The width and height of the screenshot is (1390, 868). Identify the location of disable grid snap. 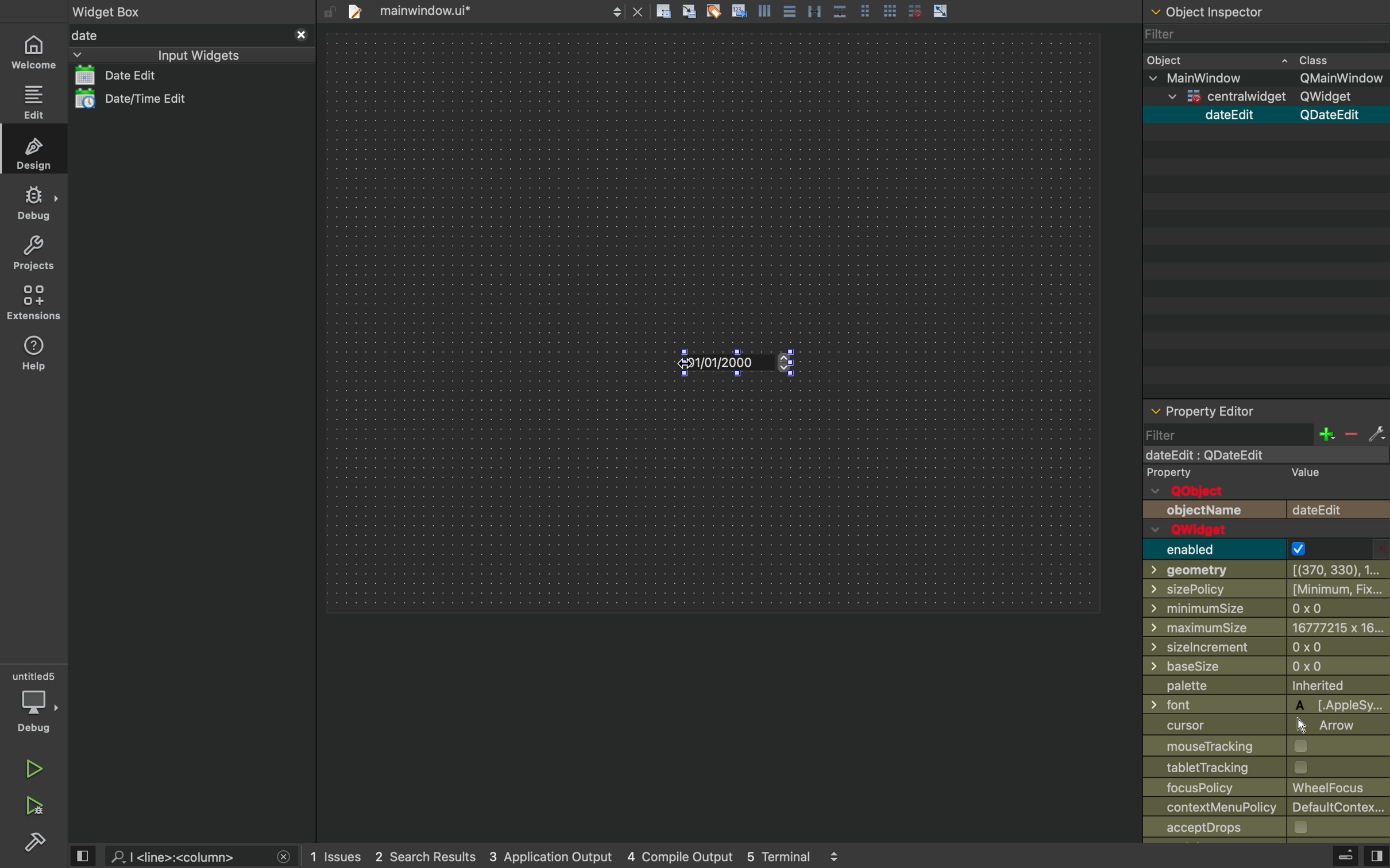
(916, 10).